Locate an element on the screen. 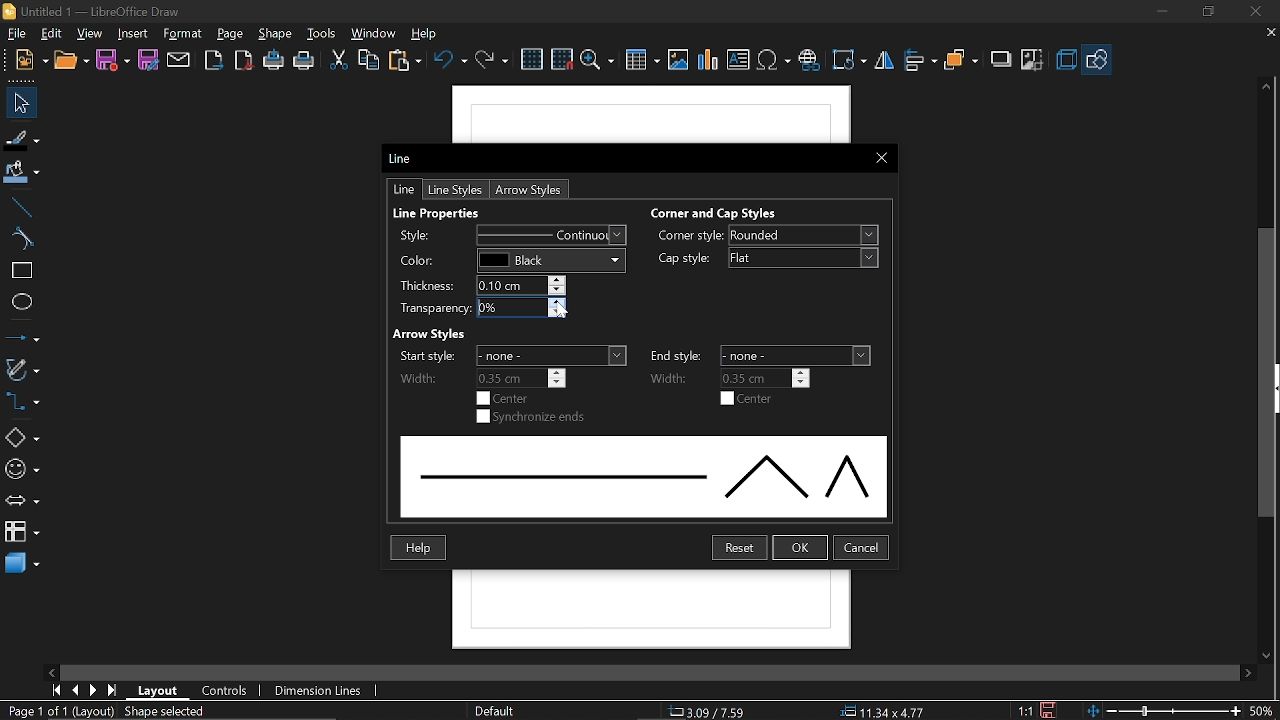 This screenshot has height=720, width=1280. (Layout) Shape selected is located at coordinates (142, 711).